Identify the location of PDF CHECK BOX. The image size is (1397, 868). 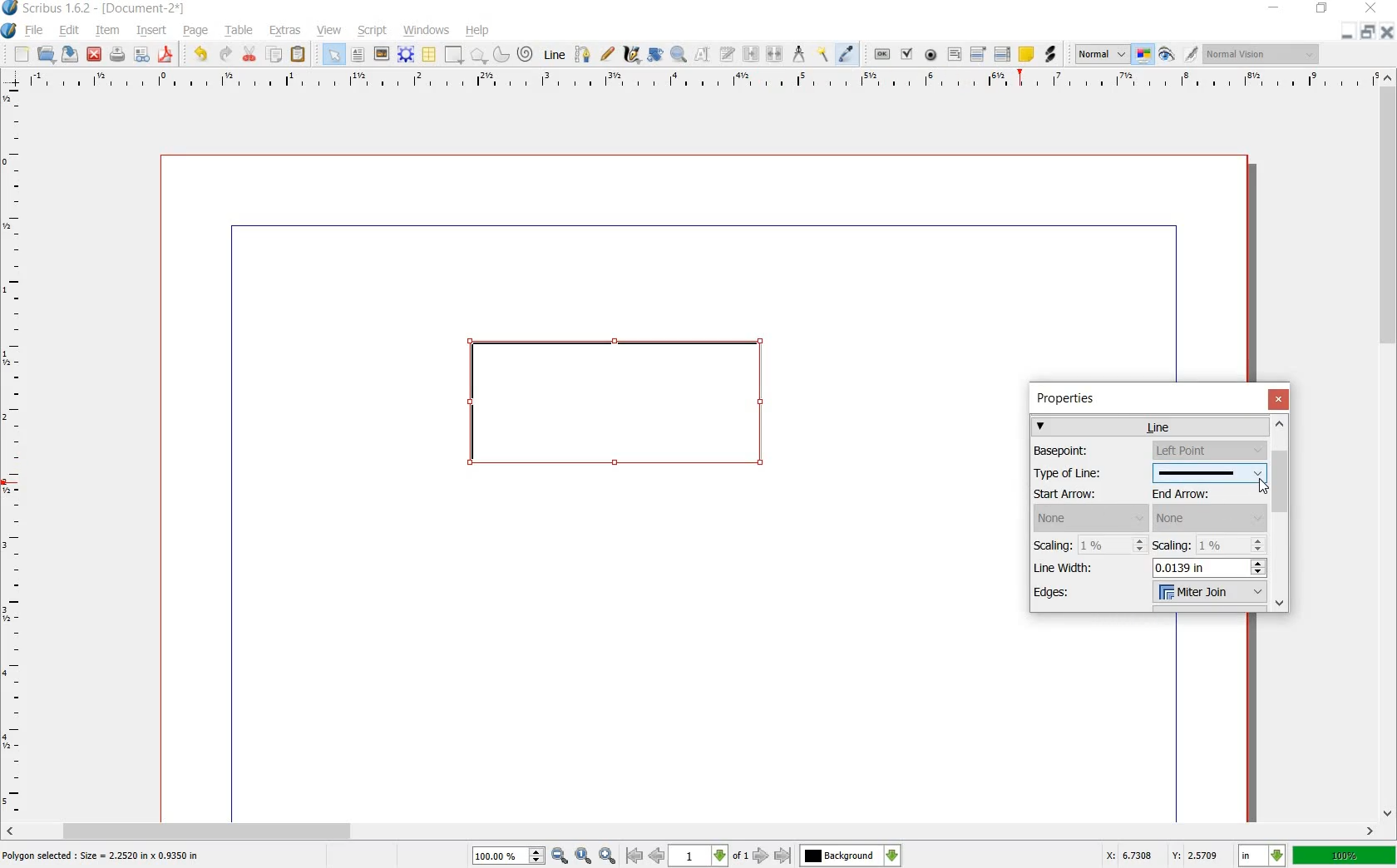
(907, 54).